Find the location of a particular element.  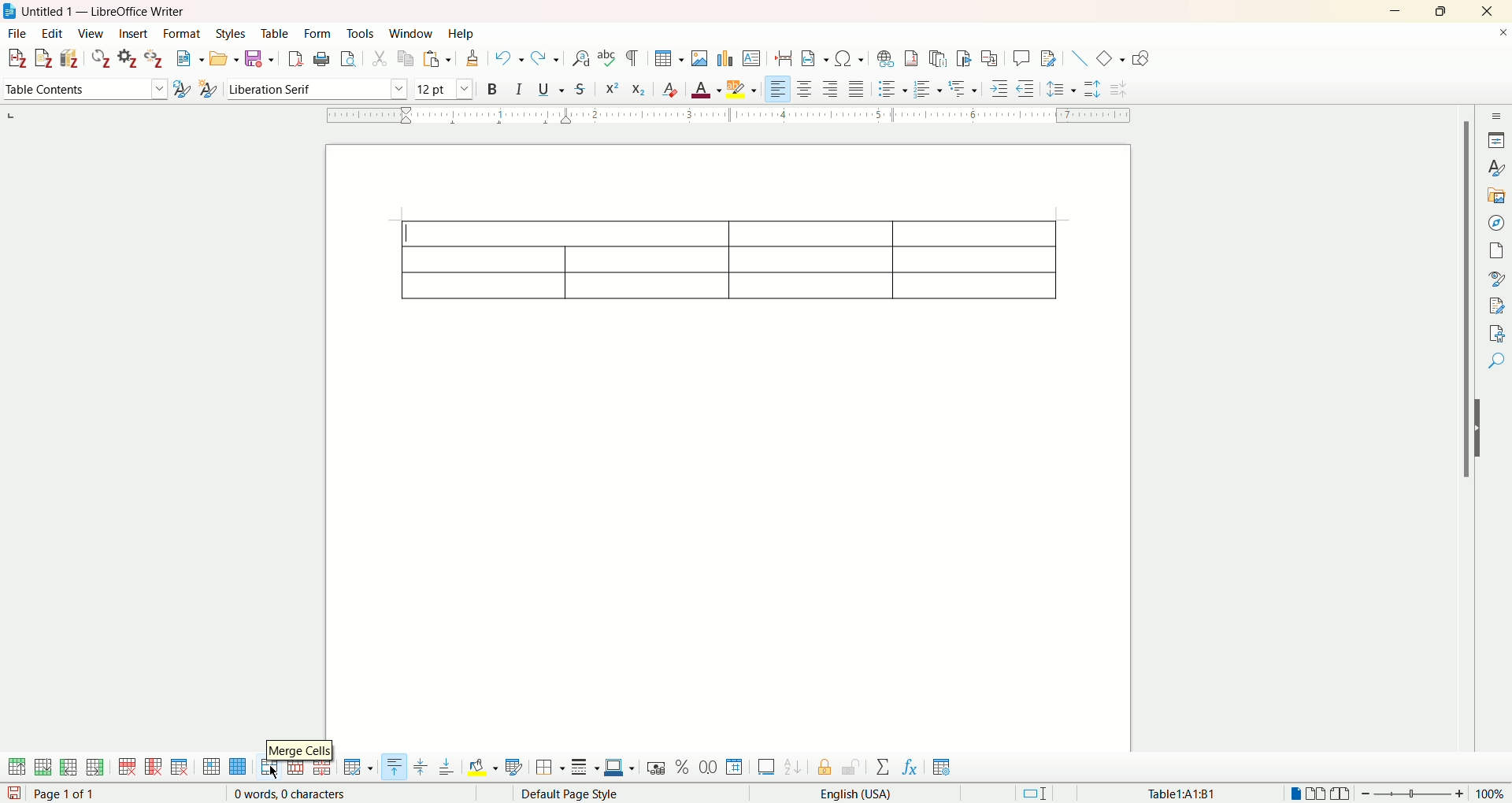

basic shapes is located at coordinates (1112, 58).